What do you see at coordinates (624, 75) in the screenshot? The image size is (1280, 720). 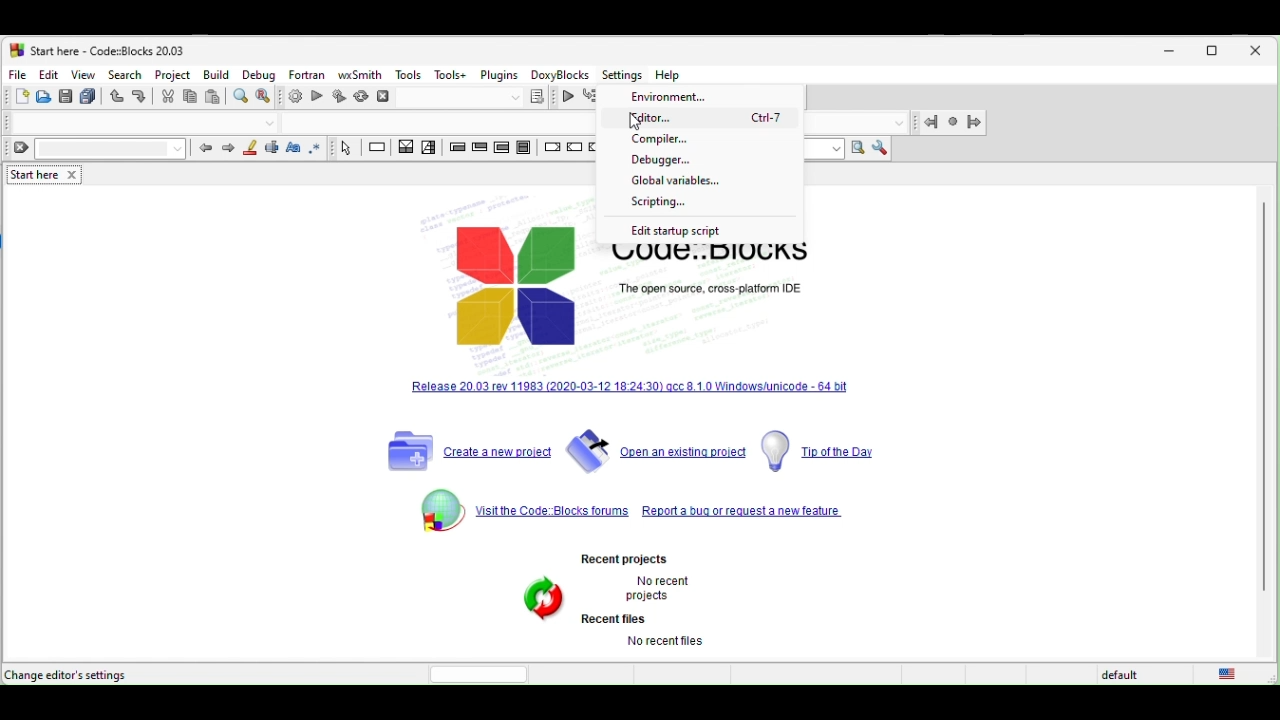 I see `Settings` at bounding box center [624, 75].